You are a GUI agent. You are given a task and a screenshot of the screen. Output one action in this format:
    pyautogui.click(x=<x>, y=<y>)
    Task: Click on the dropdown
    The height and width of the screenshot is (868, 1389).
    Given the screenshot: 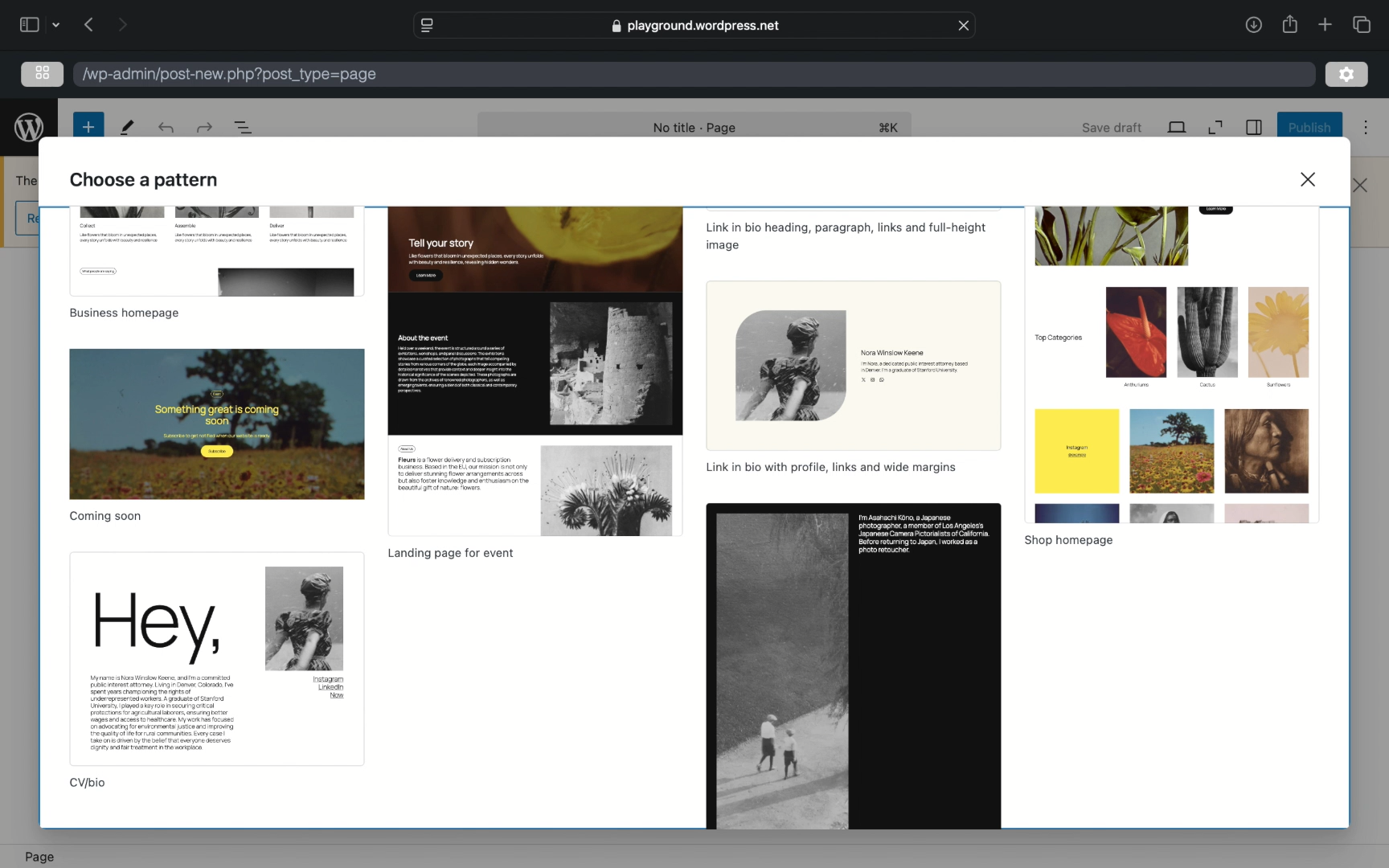 What is the action you would take?
    pyautogui.click(x=56, y=24)
    